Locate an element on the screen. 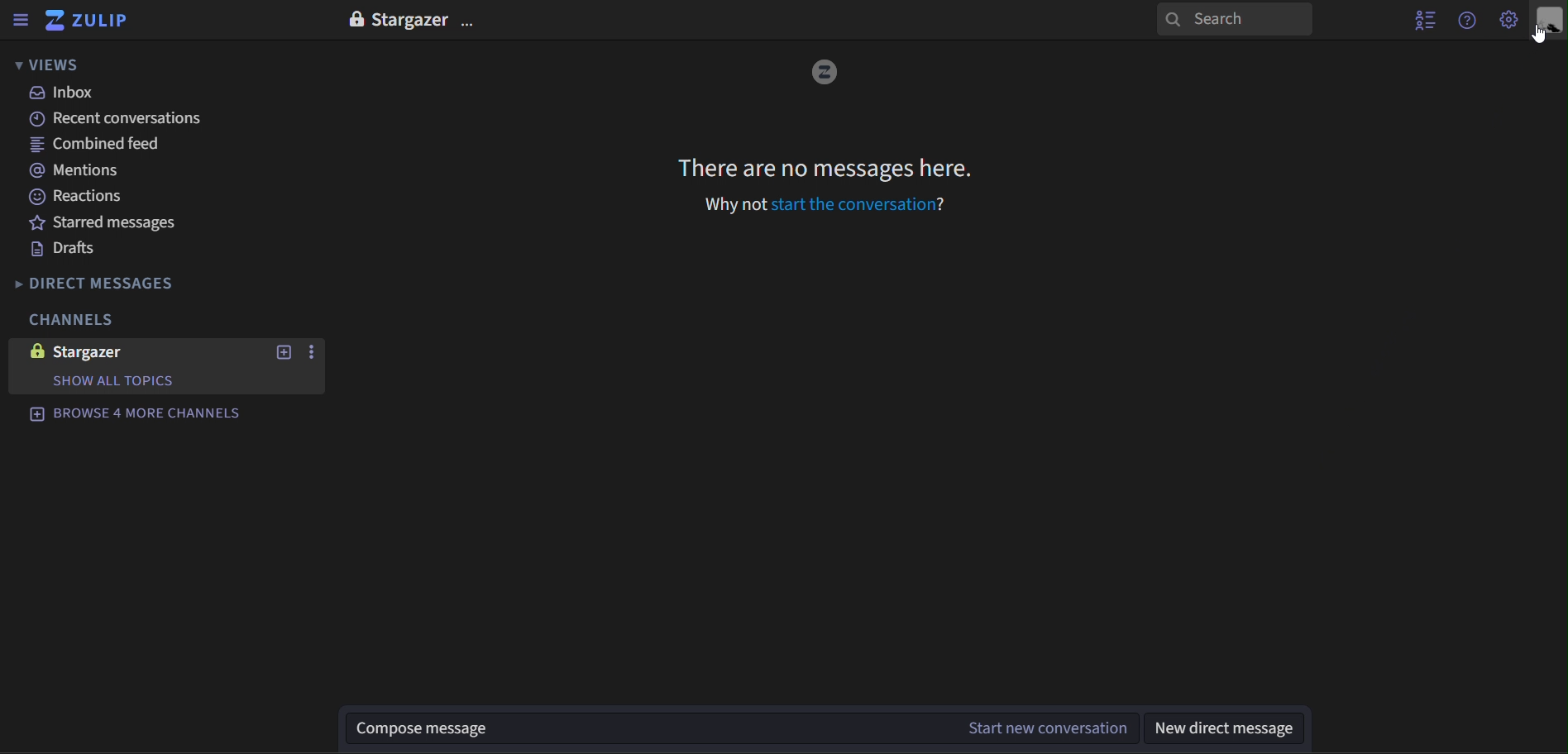 This screenshot has height=754, width=1568. There are no messages here is located at coordinates (826, 168).